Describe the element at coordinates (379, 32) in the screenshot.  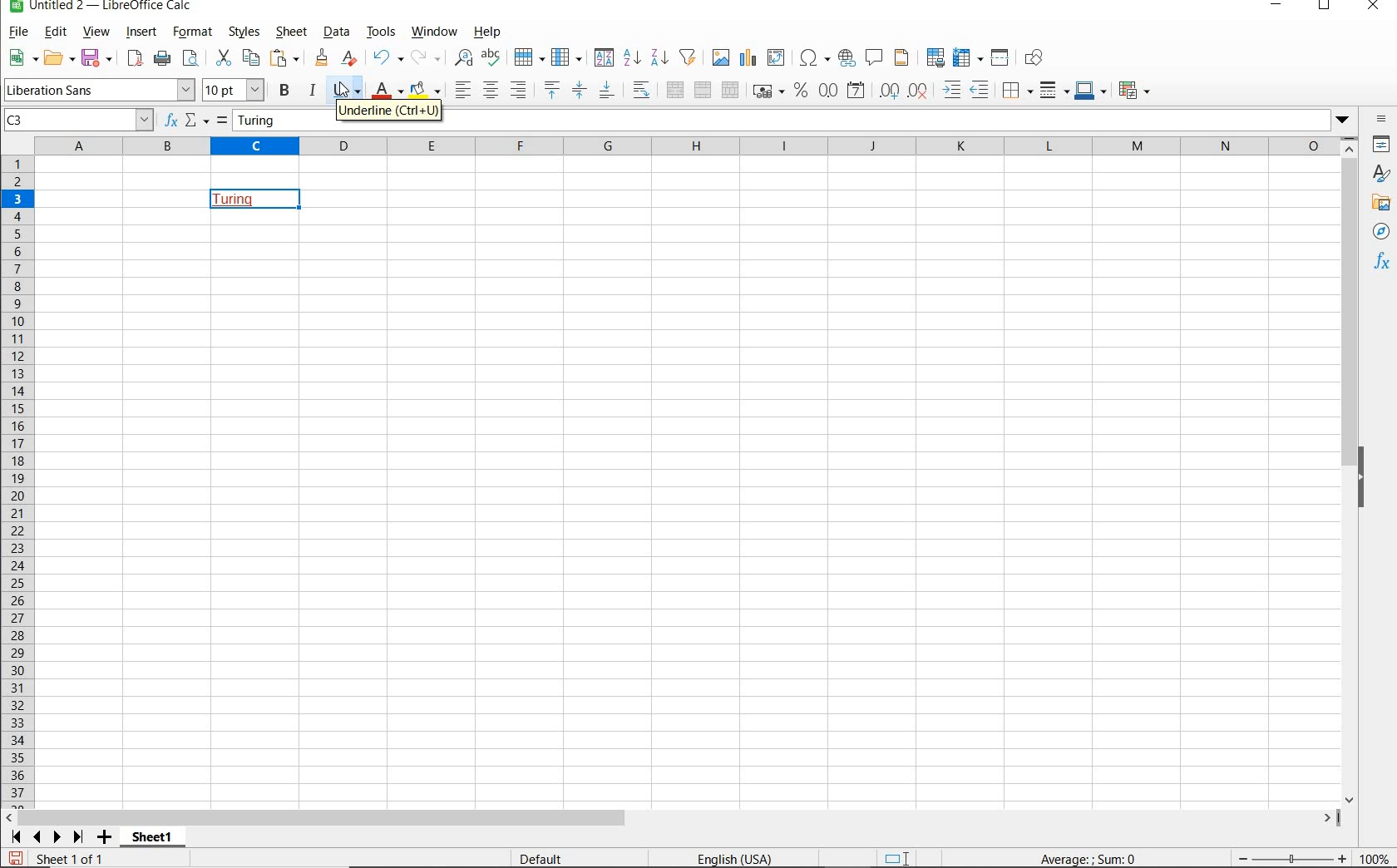
I see `TOOLS` at that location.